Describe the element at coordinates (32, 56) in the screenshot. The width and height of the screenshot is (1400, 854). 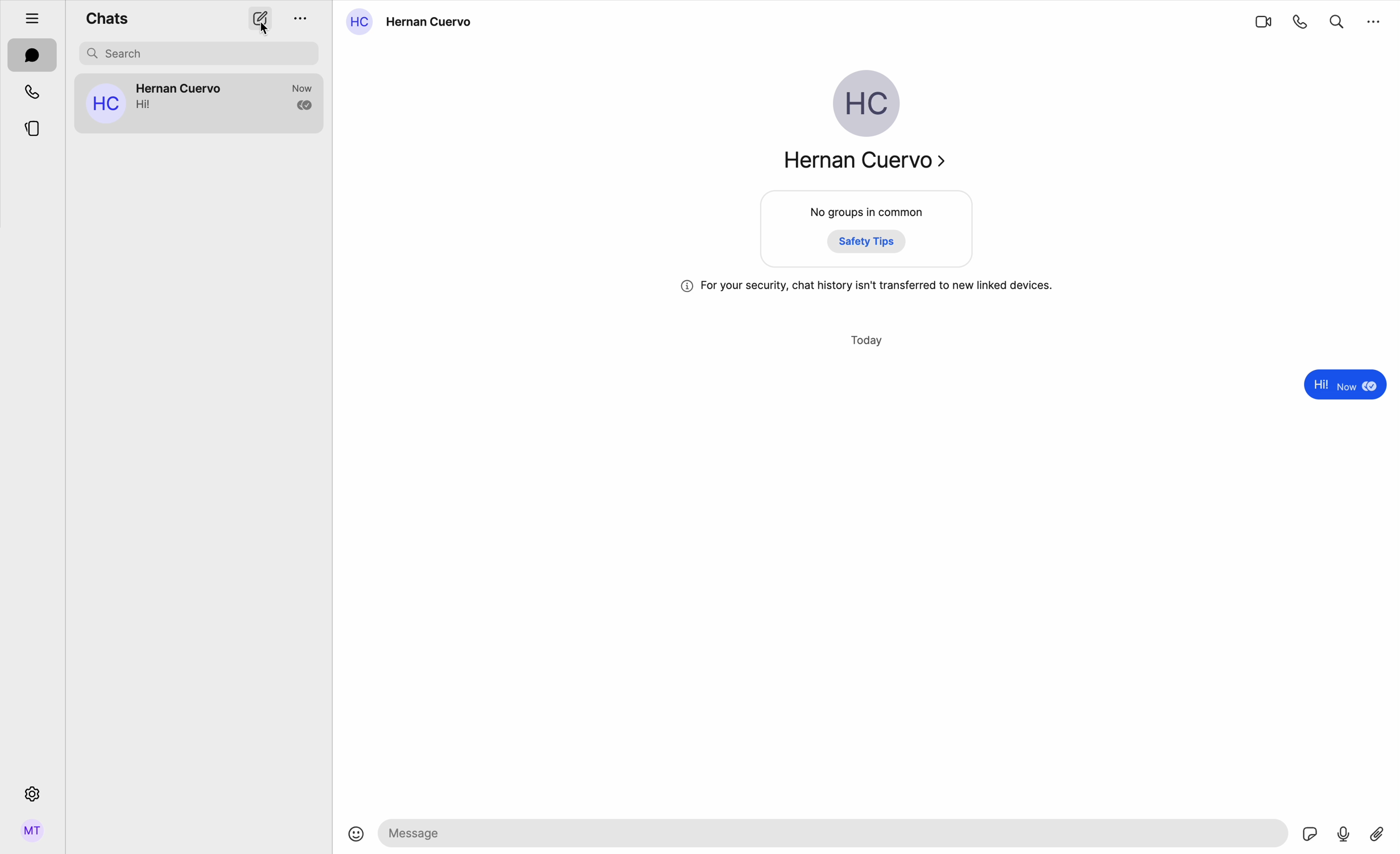
I see `chats` at that location.